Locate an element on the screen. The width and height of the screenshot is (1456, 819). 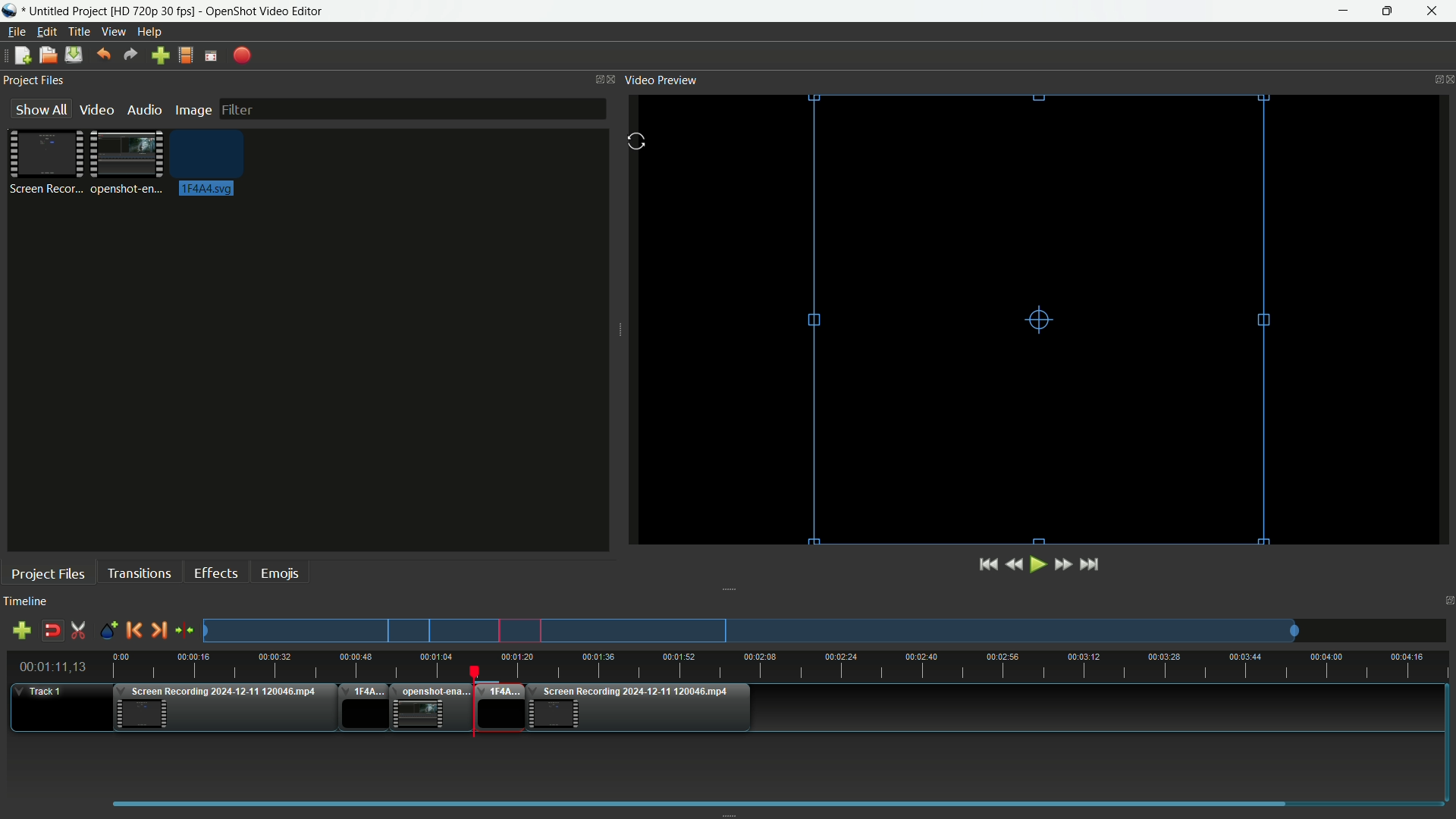
Edit menu is located at coordinates (44, 32).